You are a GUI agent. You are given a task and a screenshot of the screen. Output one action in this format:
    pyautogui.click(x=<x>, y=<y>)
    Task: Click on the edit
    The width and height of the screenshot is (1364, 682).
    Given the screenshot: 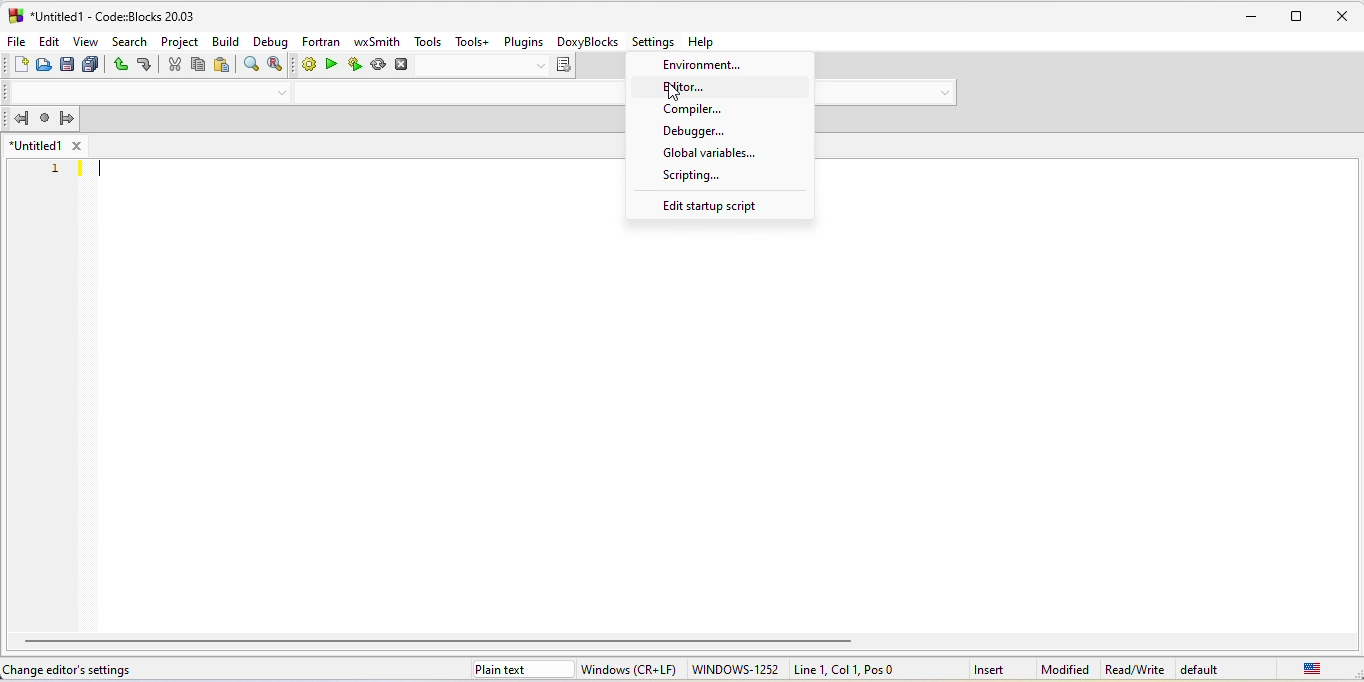 What is the action you would take?
    pyautogui.click(x=47, y=41)
    